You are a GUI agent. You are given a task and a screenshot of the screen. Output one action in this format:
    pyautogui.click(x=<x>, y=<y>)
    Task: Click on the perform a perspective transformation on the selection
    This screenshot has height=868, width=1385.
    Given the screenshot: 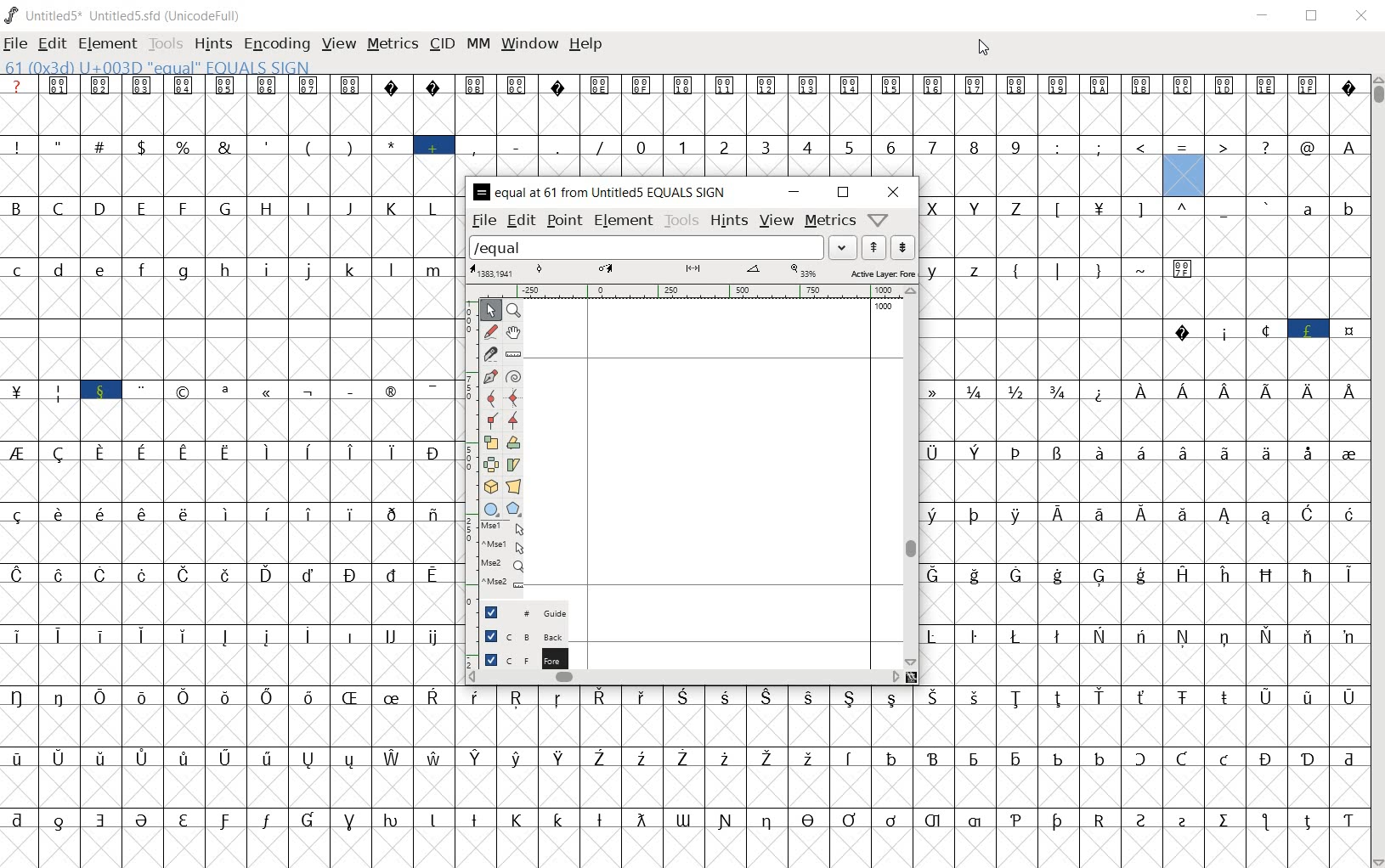 What is the action you would take?
    pyautogui.click(x=512, y=486)
    